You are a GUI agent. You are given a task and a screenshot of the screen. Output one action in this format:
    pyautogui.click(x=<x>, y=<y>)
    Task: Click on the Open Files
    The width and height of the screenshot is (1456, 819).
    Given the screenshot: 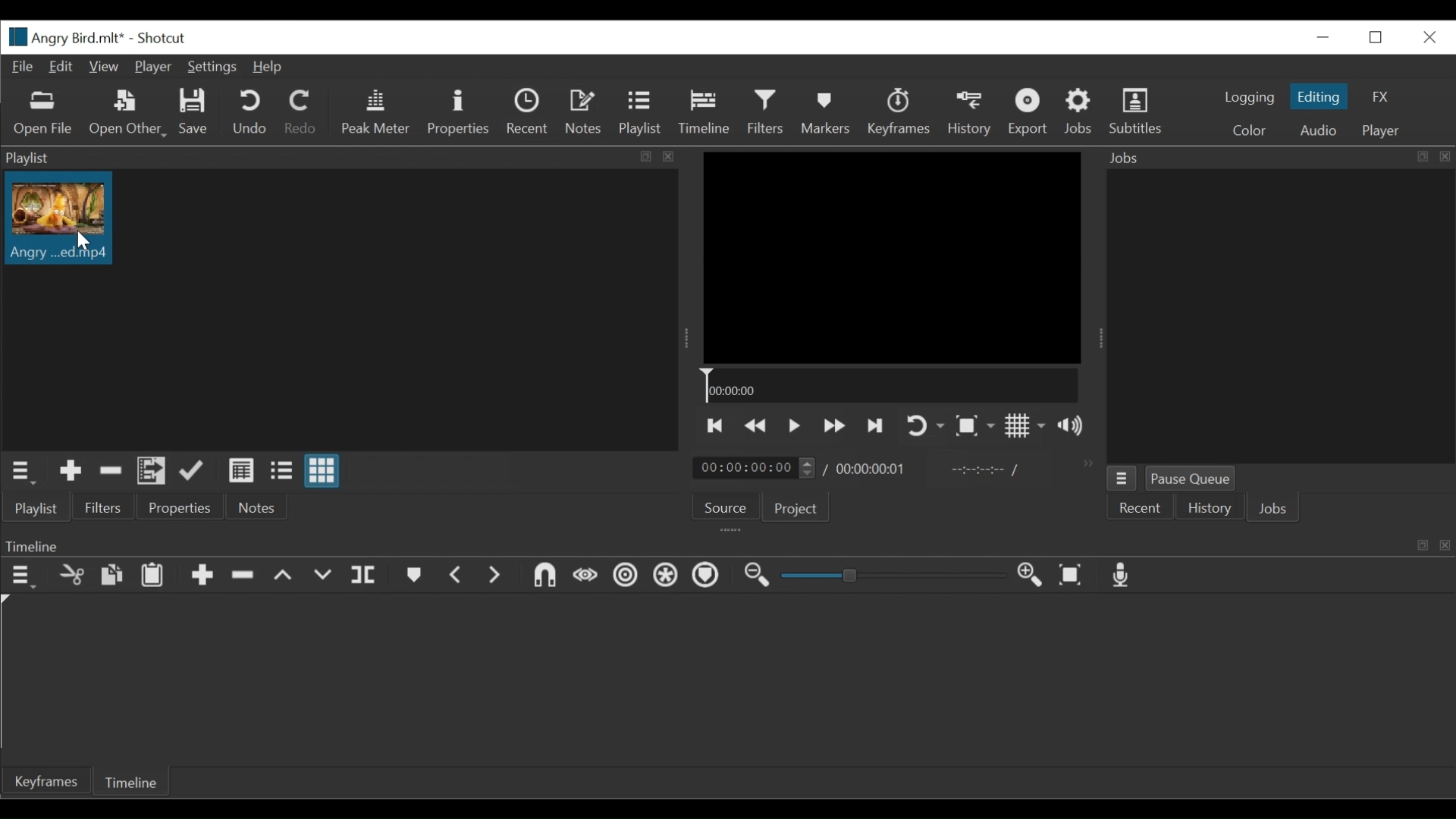 What is the action you would take?
    pyautogui.click(x=44, y=114)
    